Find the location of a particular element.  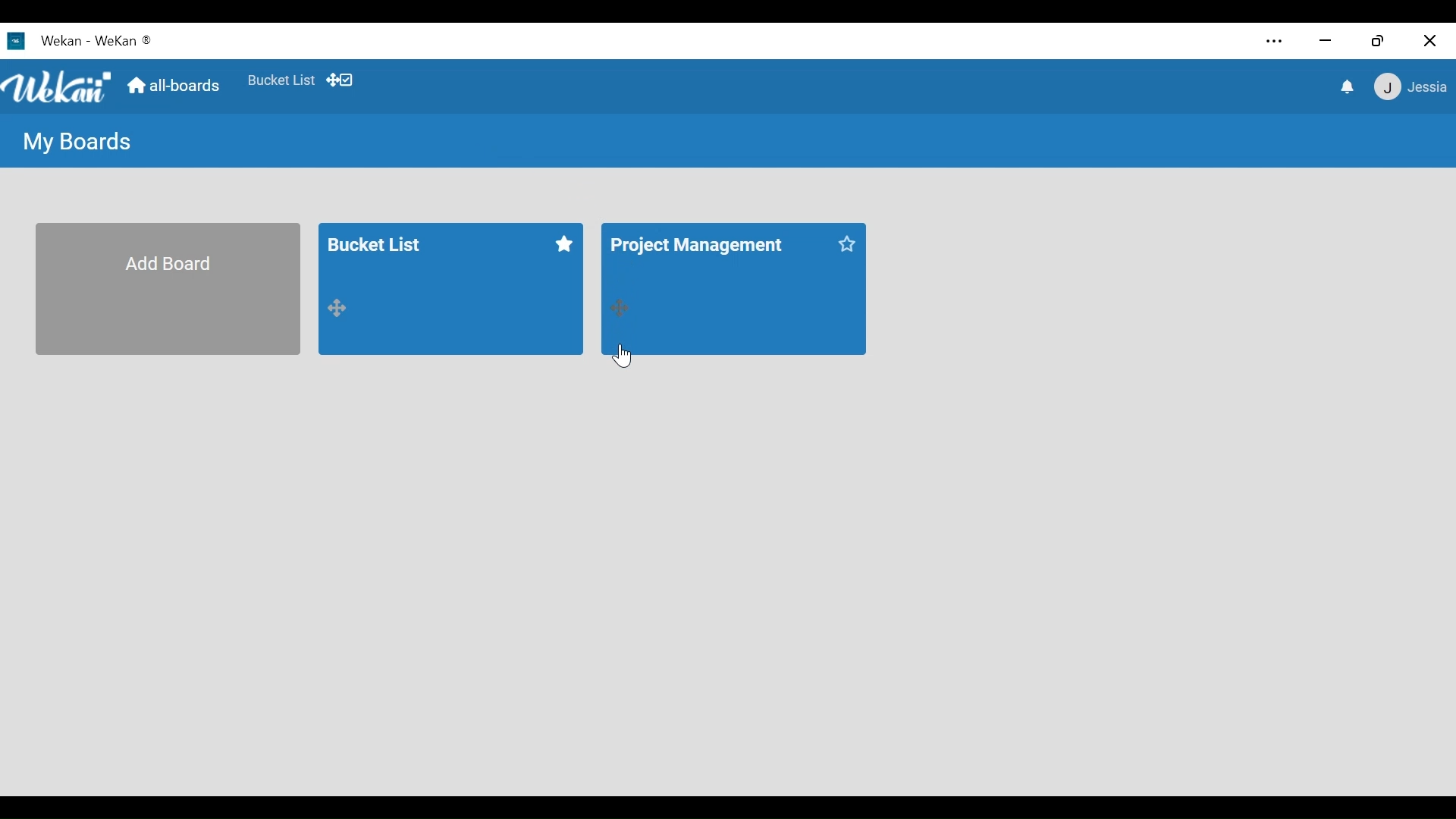

Favorite is located at coordinates (281, 81).